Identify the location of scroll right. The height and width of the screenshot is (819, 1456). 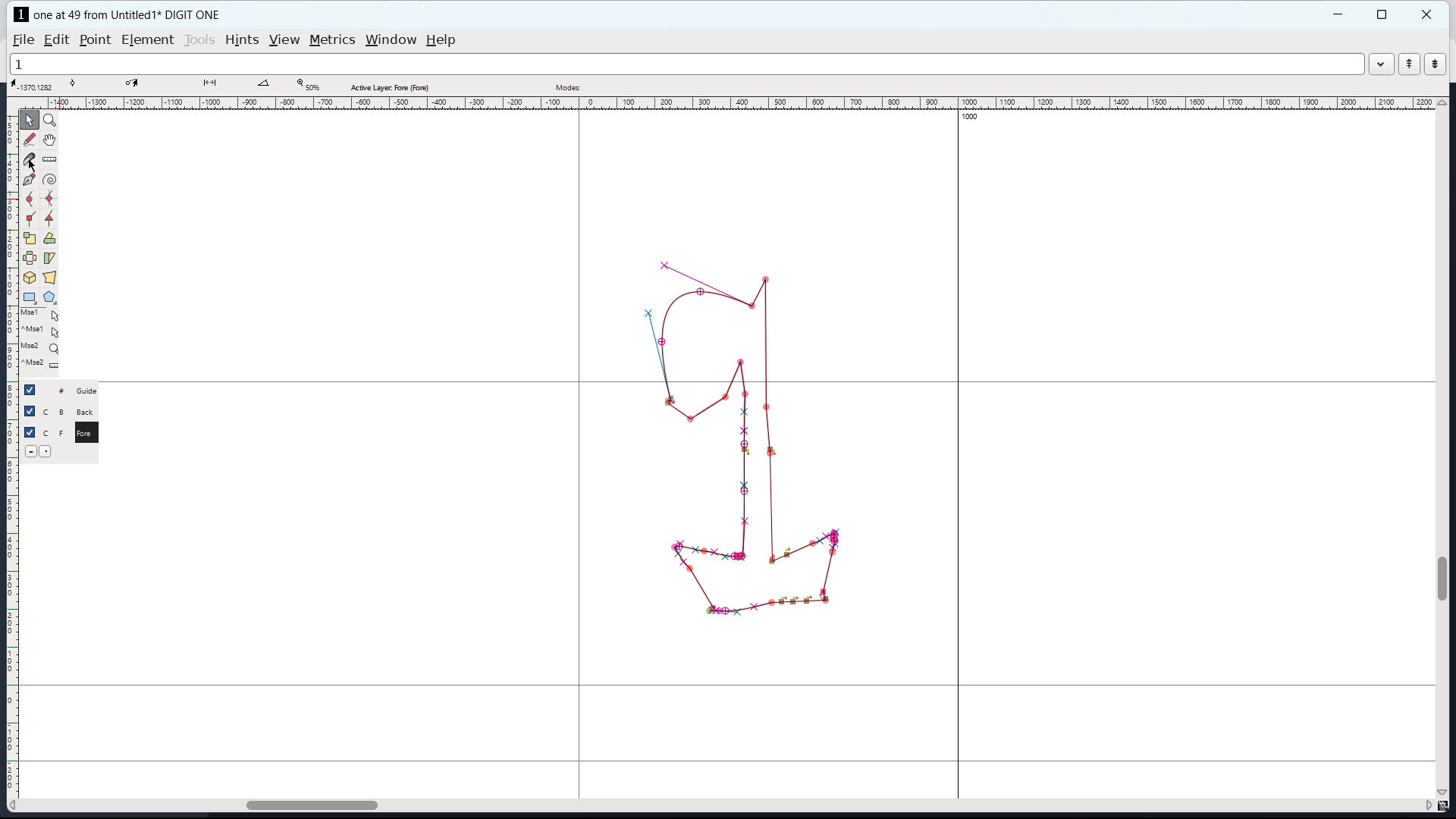
(1426, 806).